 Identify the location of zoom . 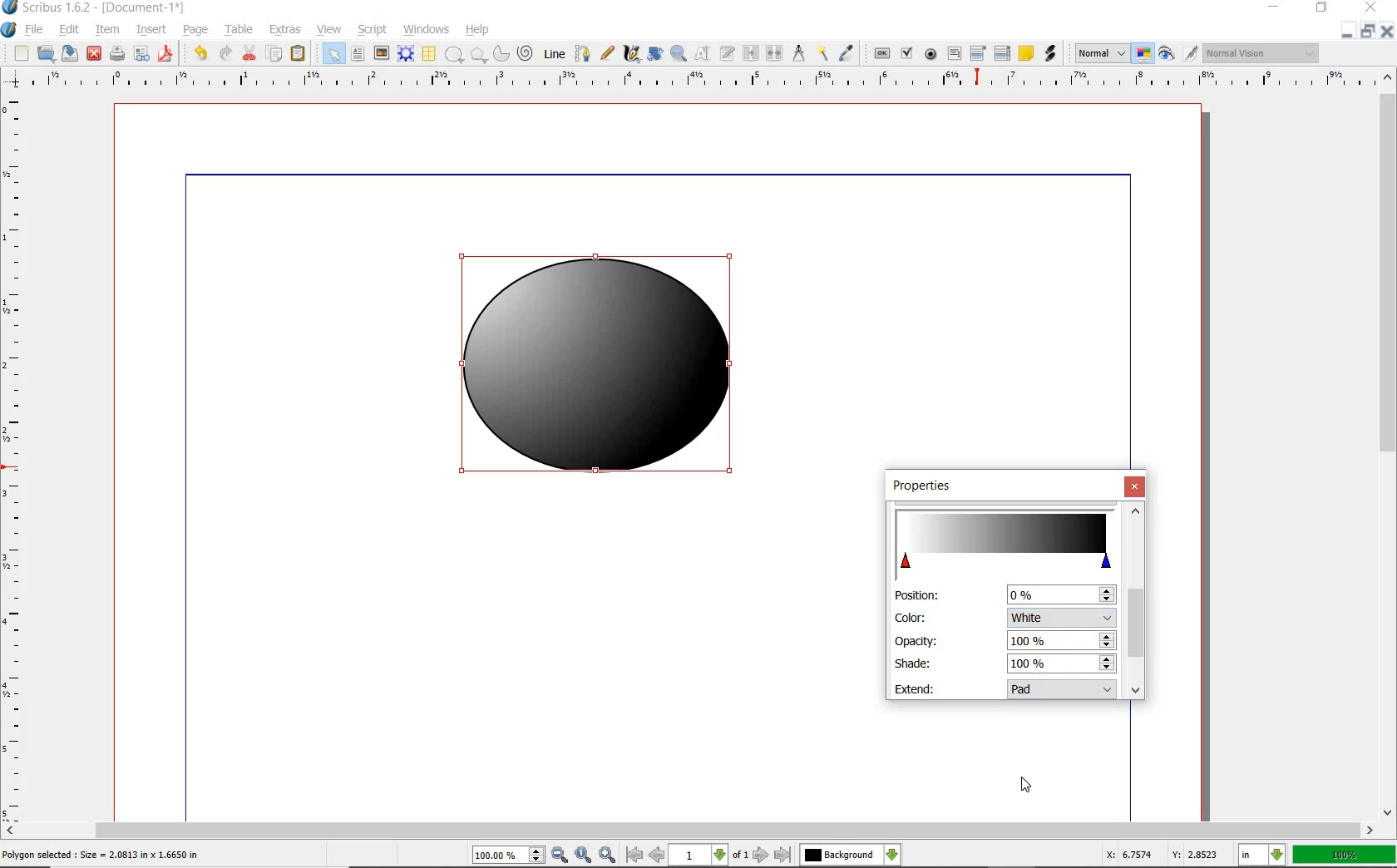
(510, 856).